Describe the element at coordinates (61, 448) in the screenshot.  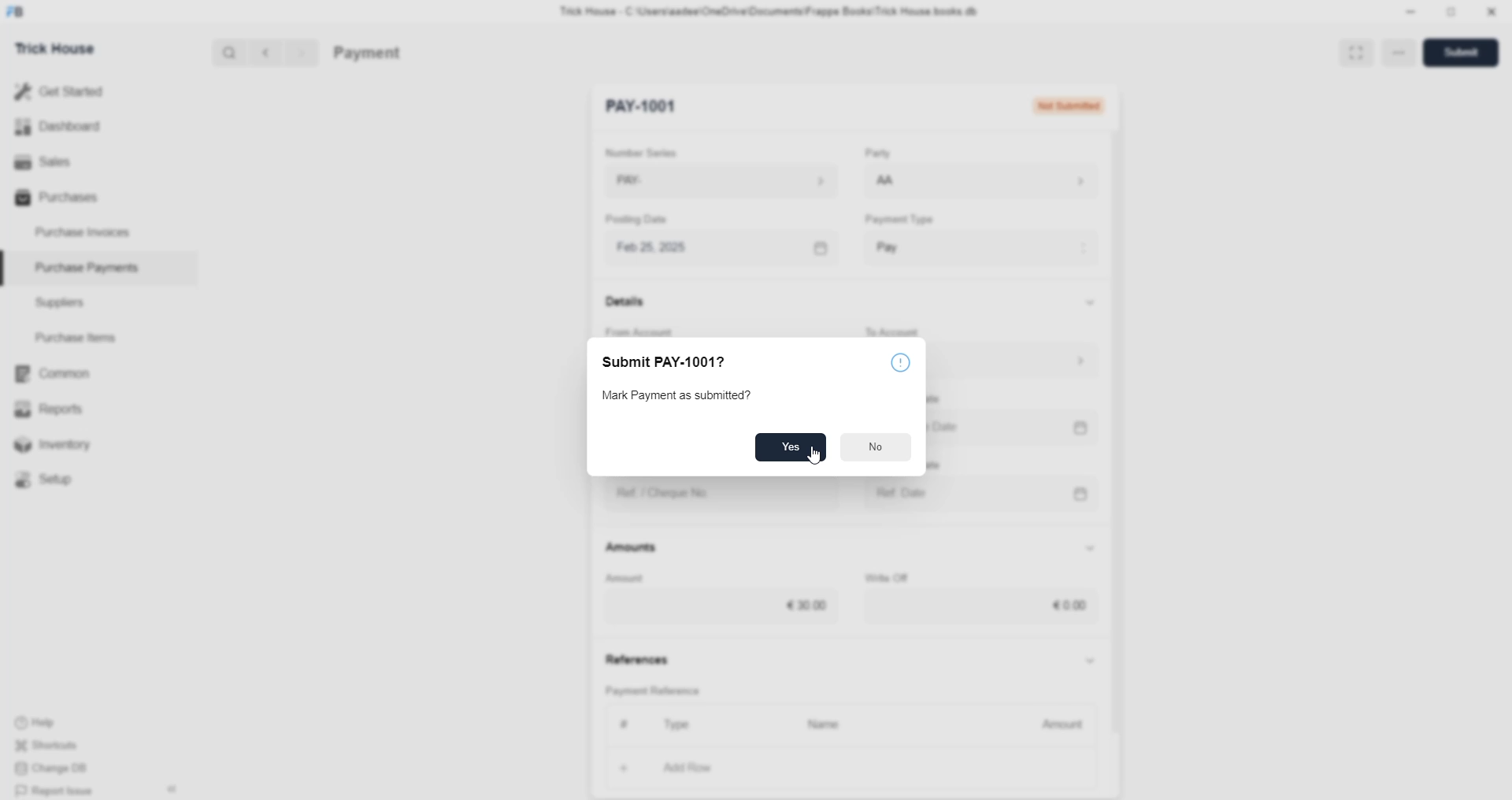
I see `Inventory` at that location.